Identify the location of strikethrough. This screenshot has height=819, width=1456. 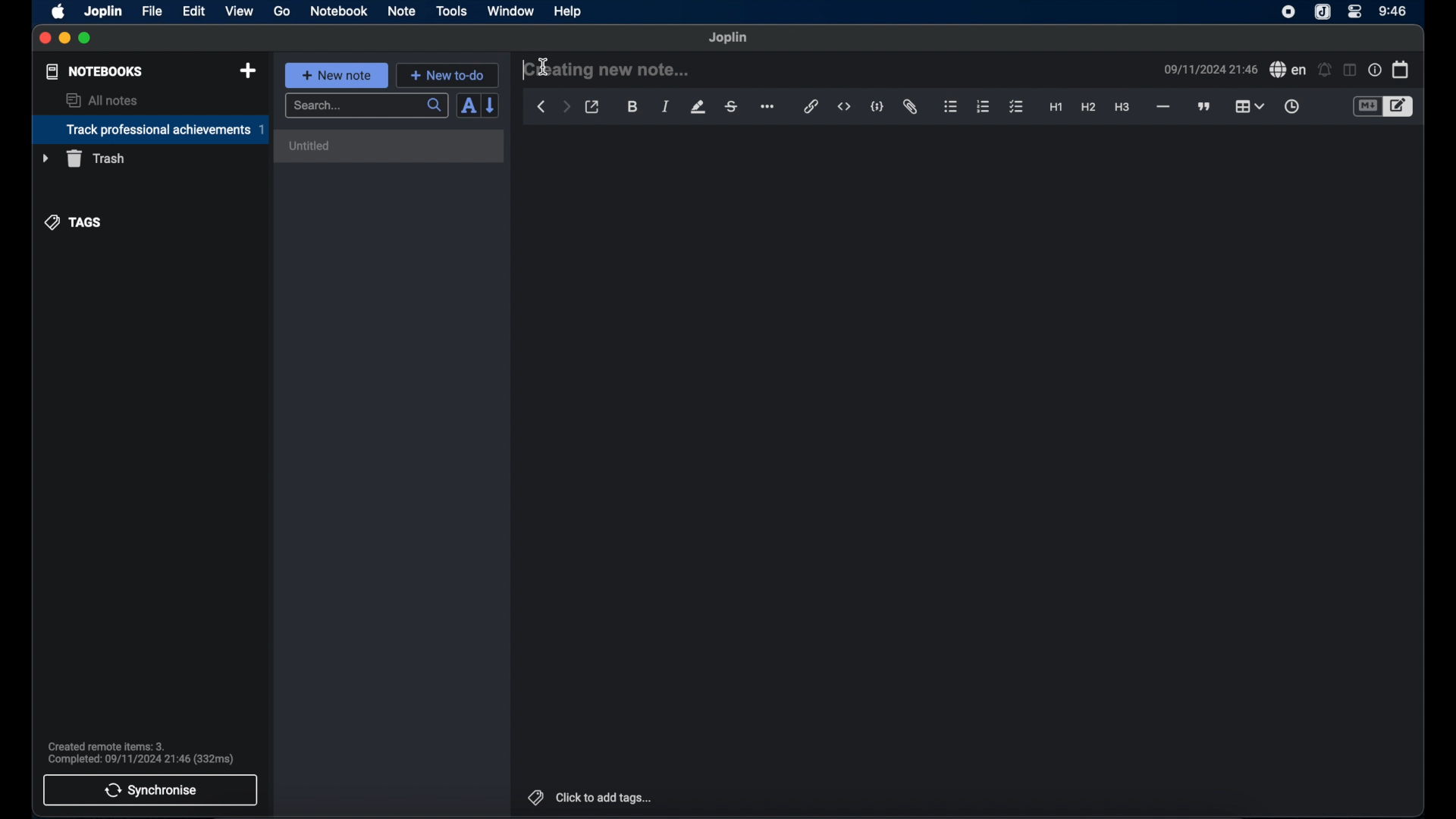
(732, 106).